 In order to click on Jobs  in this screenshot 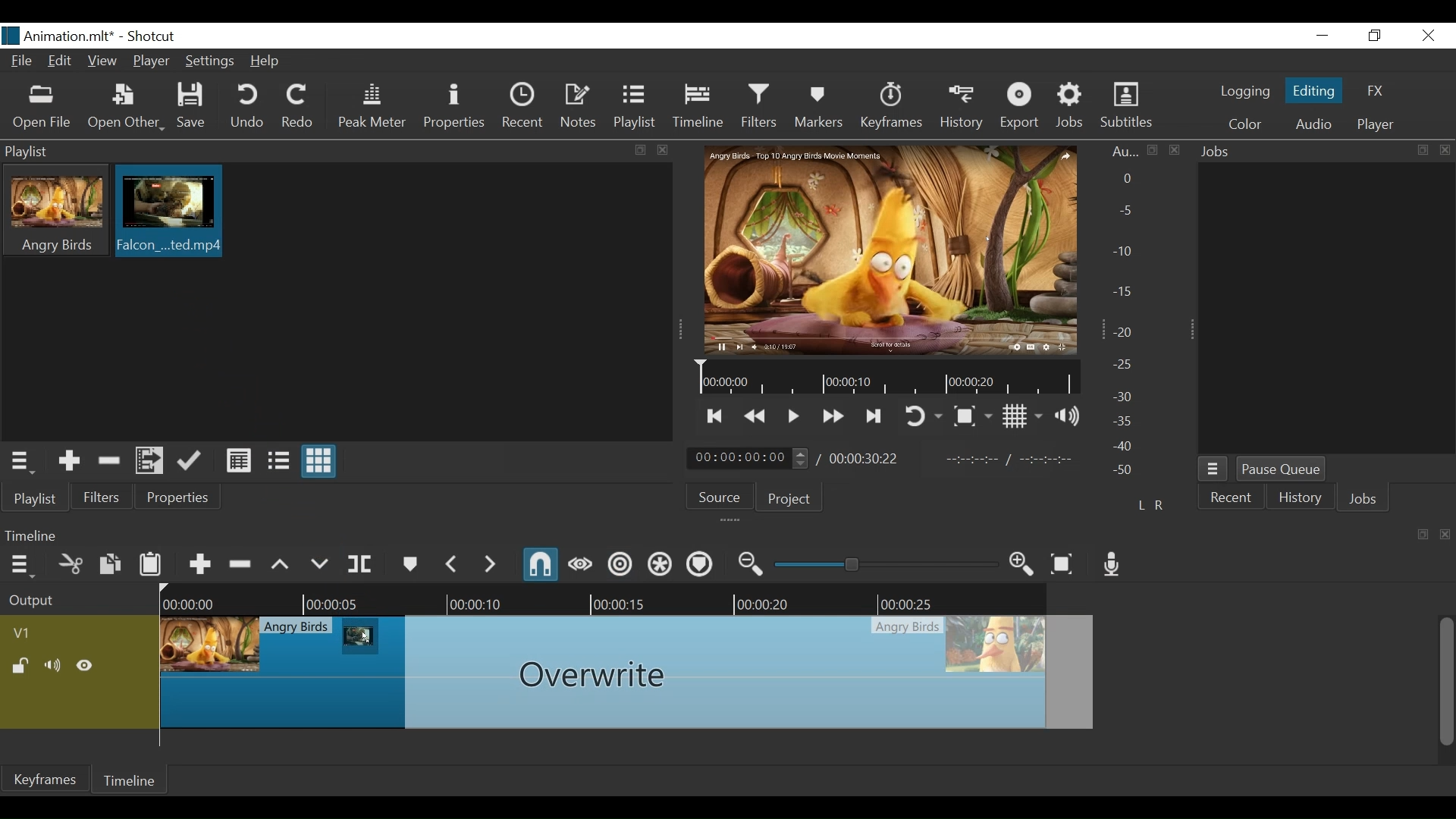, I will do `click(1363, 497)`.